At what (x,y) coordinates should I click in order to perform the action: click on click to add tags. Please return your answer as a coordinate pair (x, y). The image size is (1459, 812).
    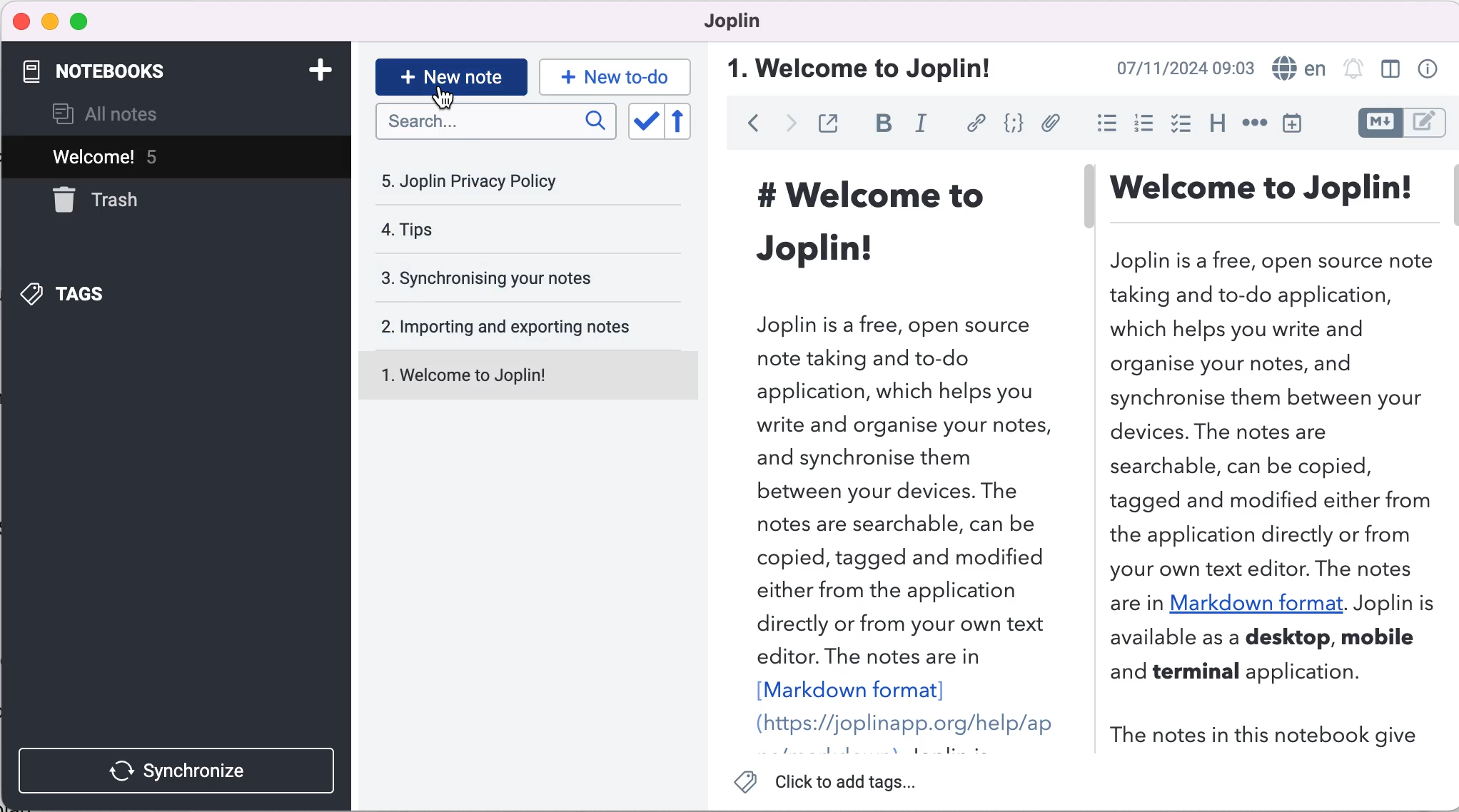
    Looking at the image, I should click on (827, 785).